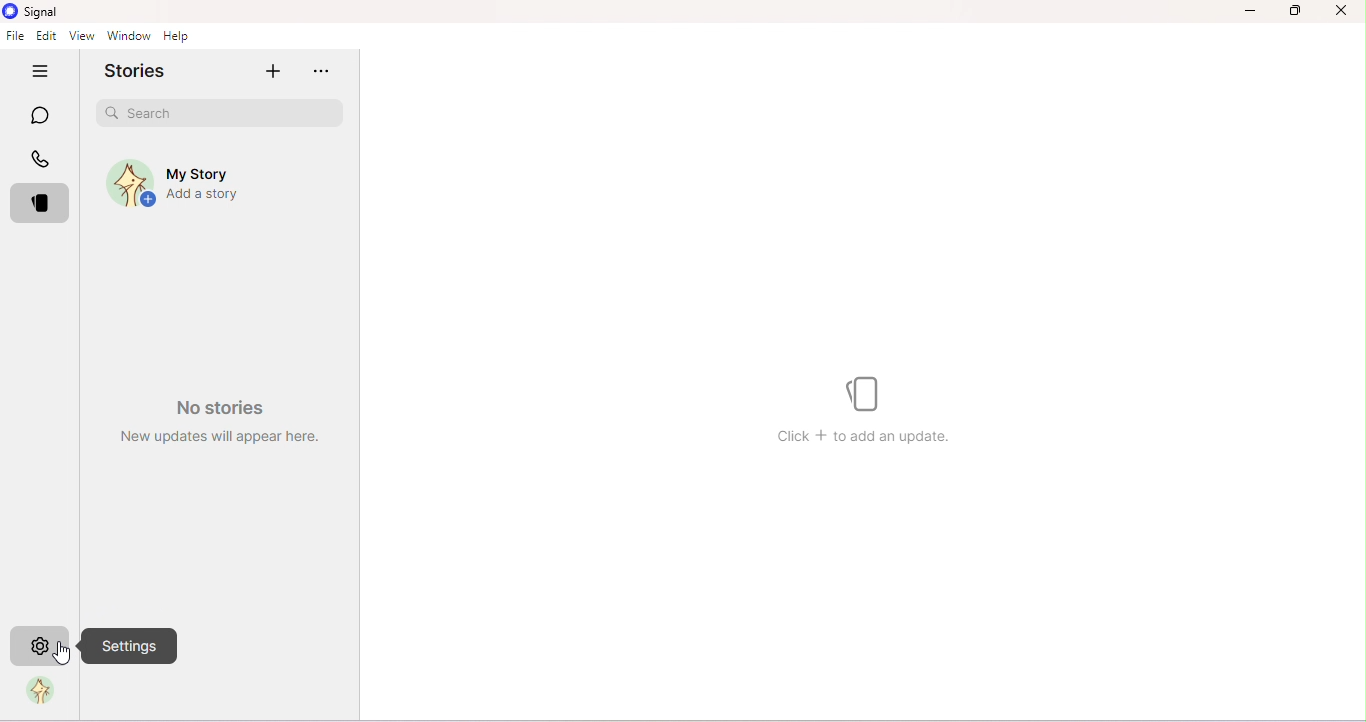  Describe the element at coordinates (129, 37) in the screenshot. I see `Window` at that location.